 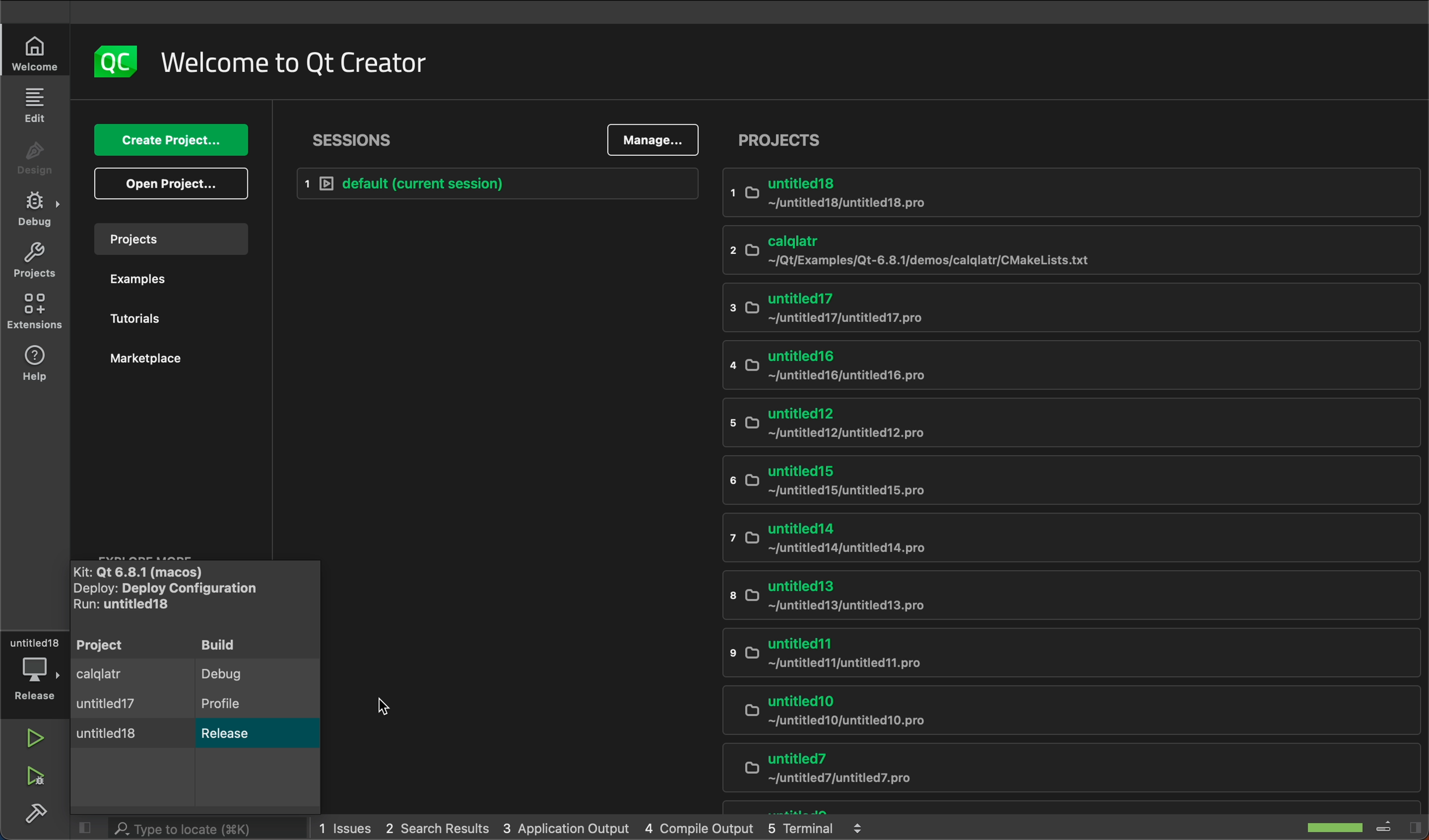 What do you see at coordinates (293, 60) in the screenshot?
I see `welcome` at bounding box center [293, 60].